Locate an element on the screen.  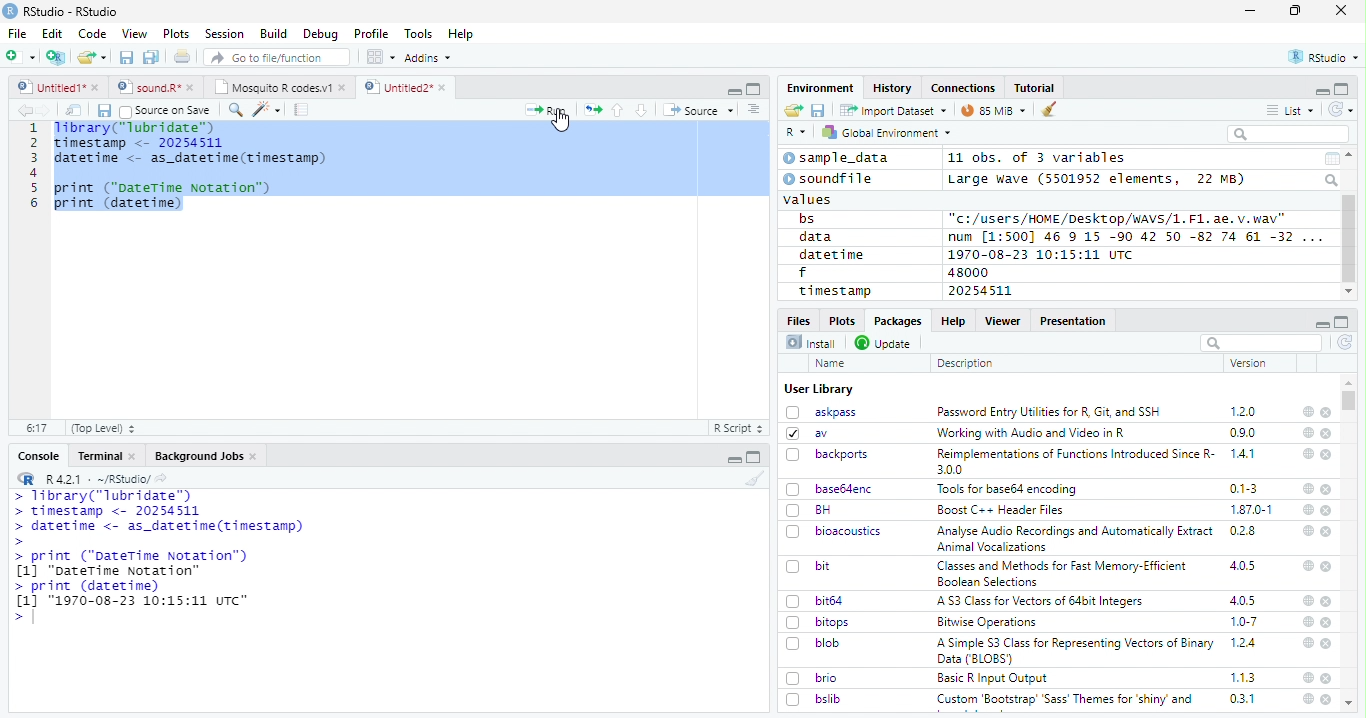
Console is located at coordinates (38, 456).